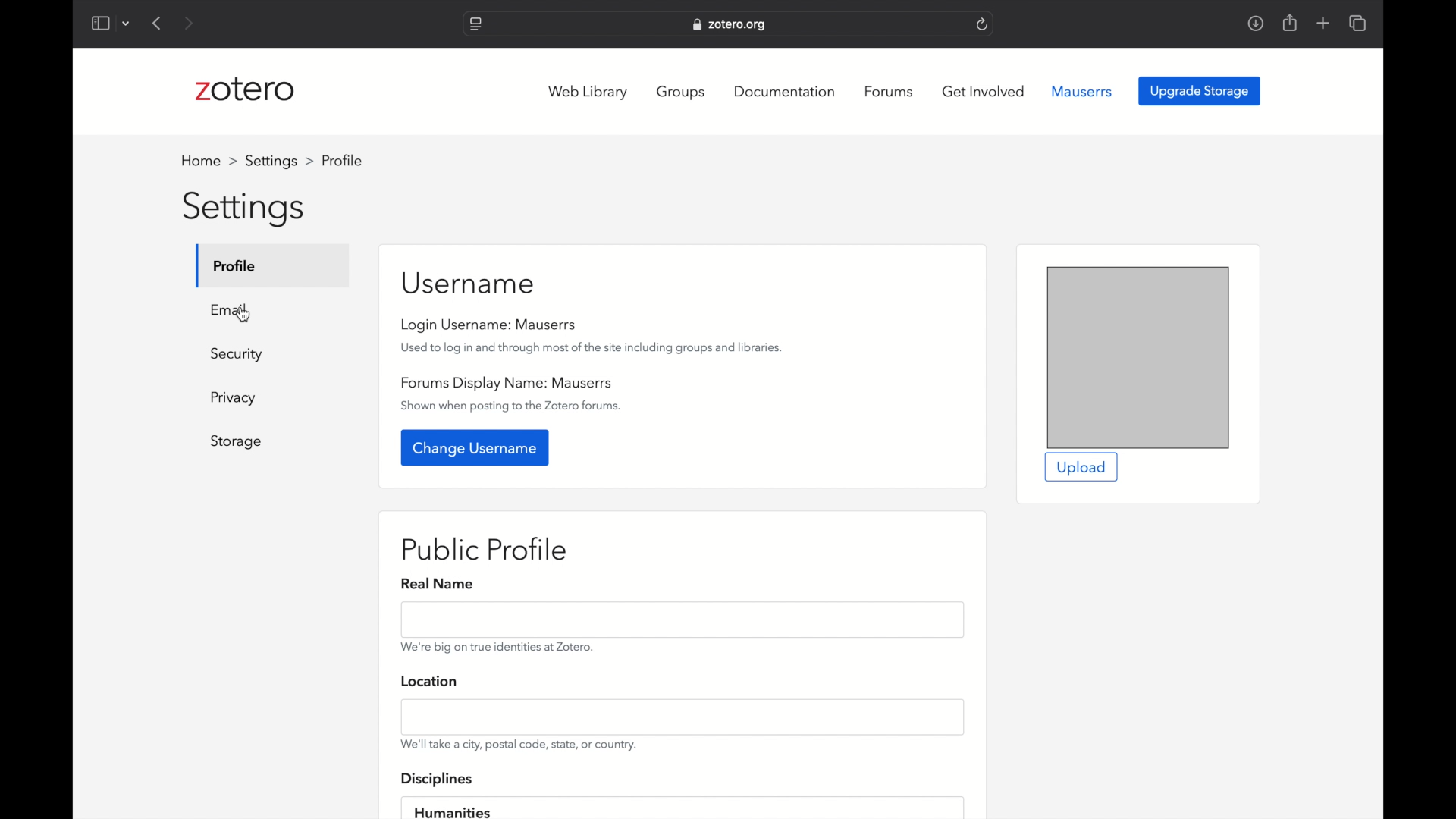  I want to click on show sidebar, so click(99, 23).